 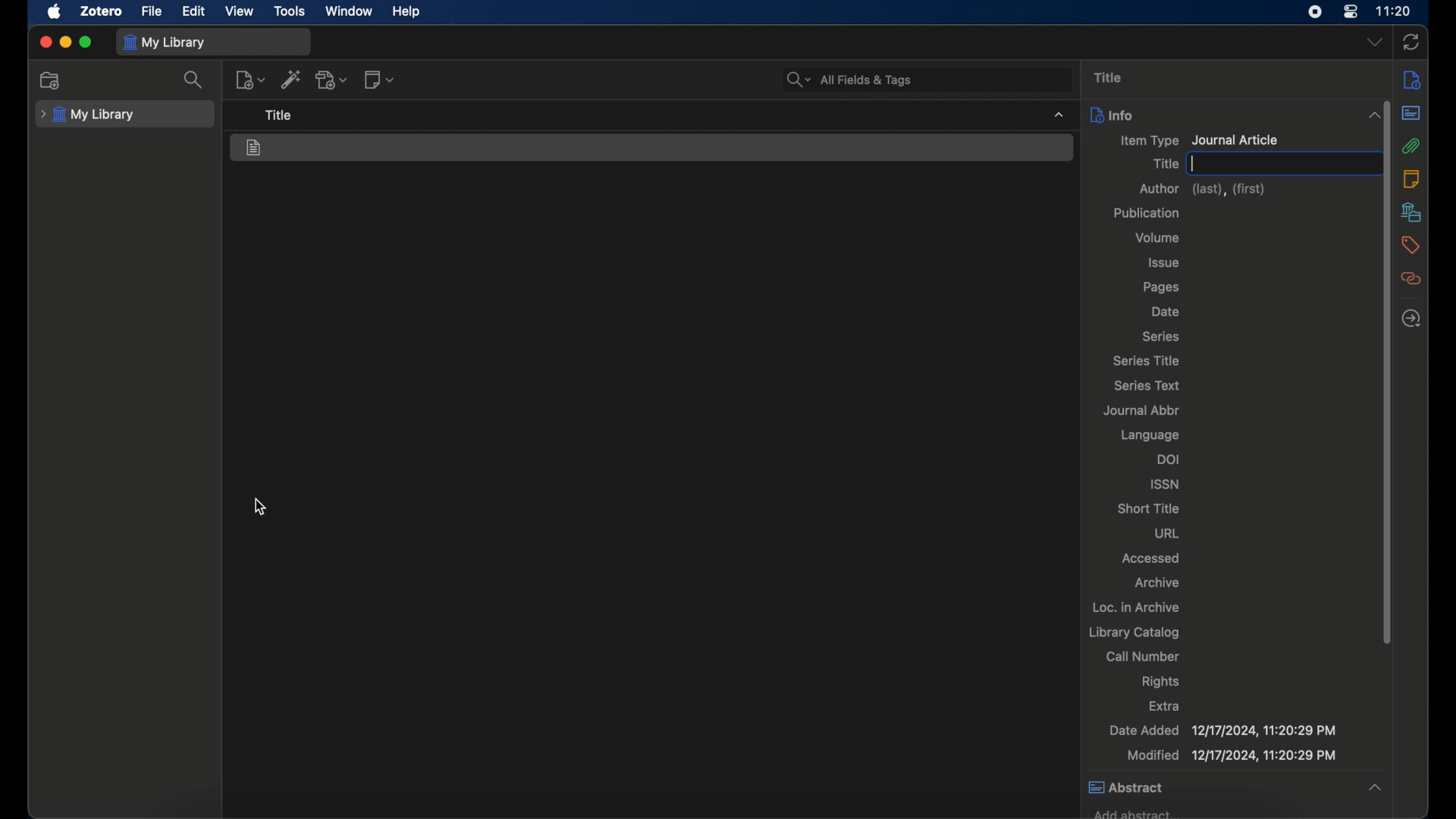 What do you see at coordinates (406, 12) in the screenshot?
I see `help` at bounding box center [406, 12].